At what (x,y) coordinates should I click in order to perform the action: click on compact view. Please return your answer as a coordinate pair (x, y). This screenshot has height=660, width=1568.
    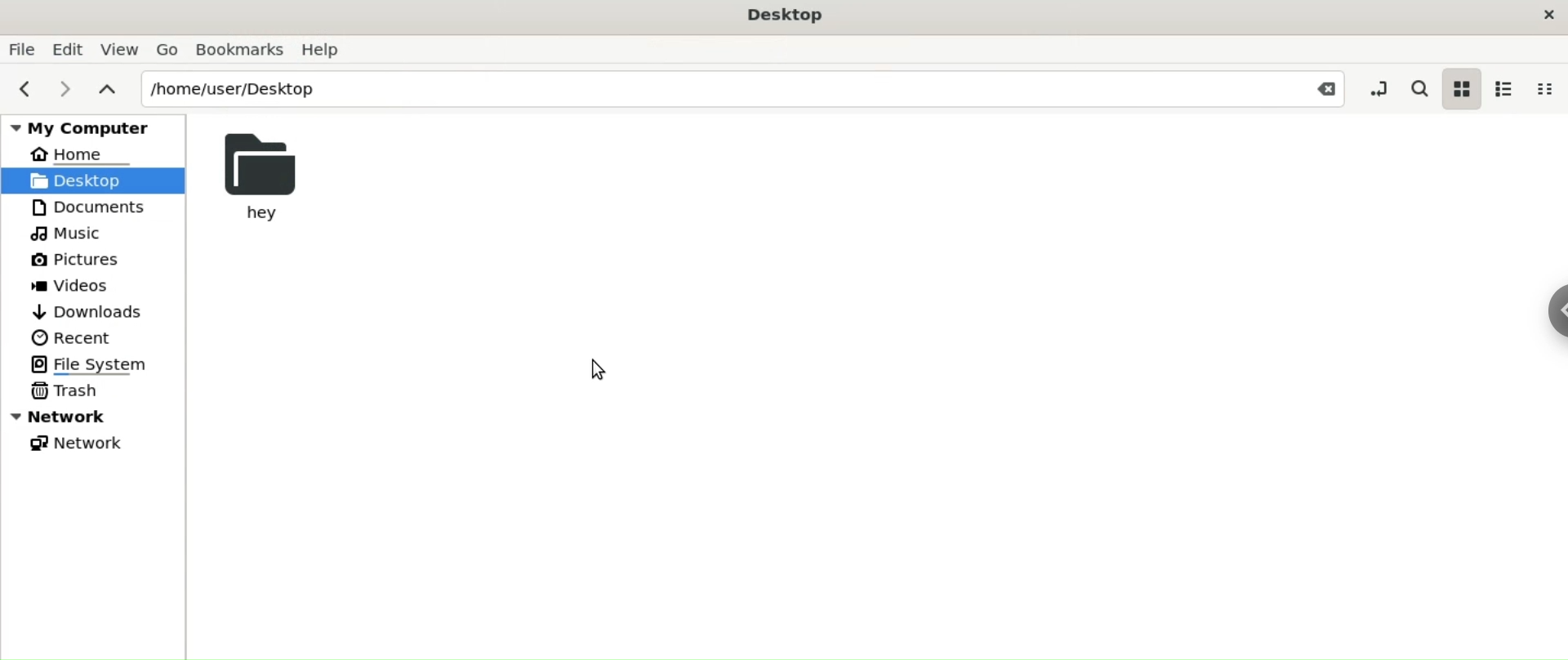
    Looking at the image, I should click on (1548, 87).